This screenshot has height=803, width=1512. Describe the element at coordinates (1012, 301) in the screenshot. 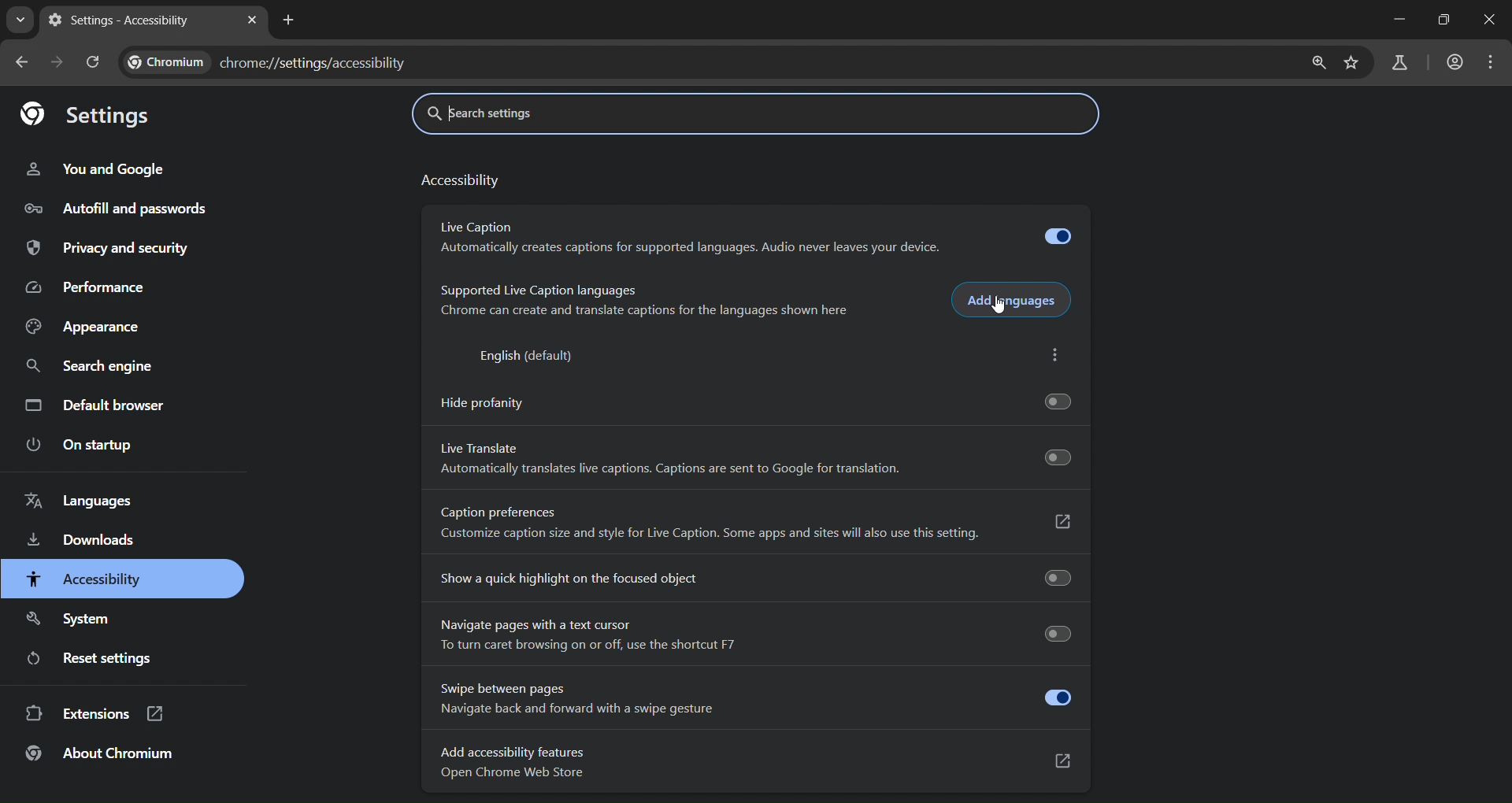

I see `add languages` at that location.